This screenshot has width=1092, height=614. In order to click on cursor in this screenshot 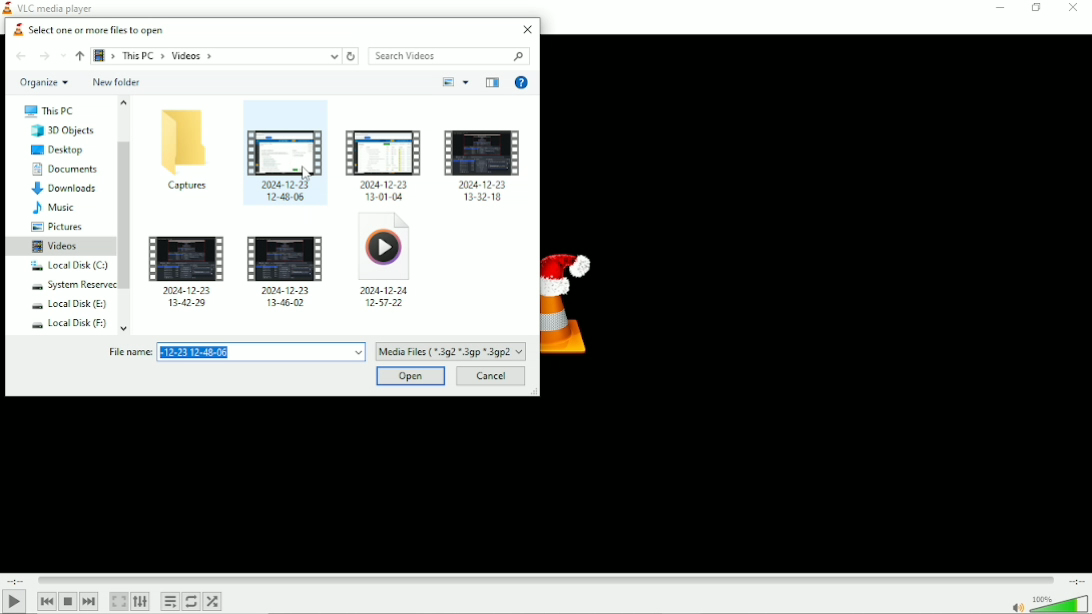, I will do `click(309, 175)`.